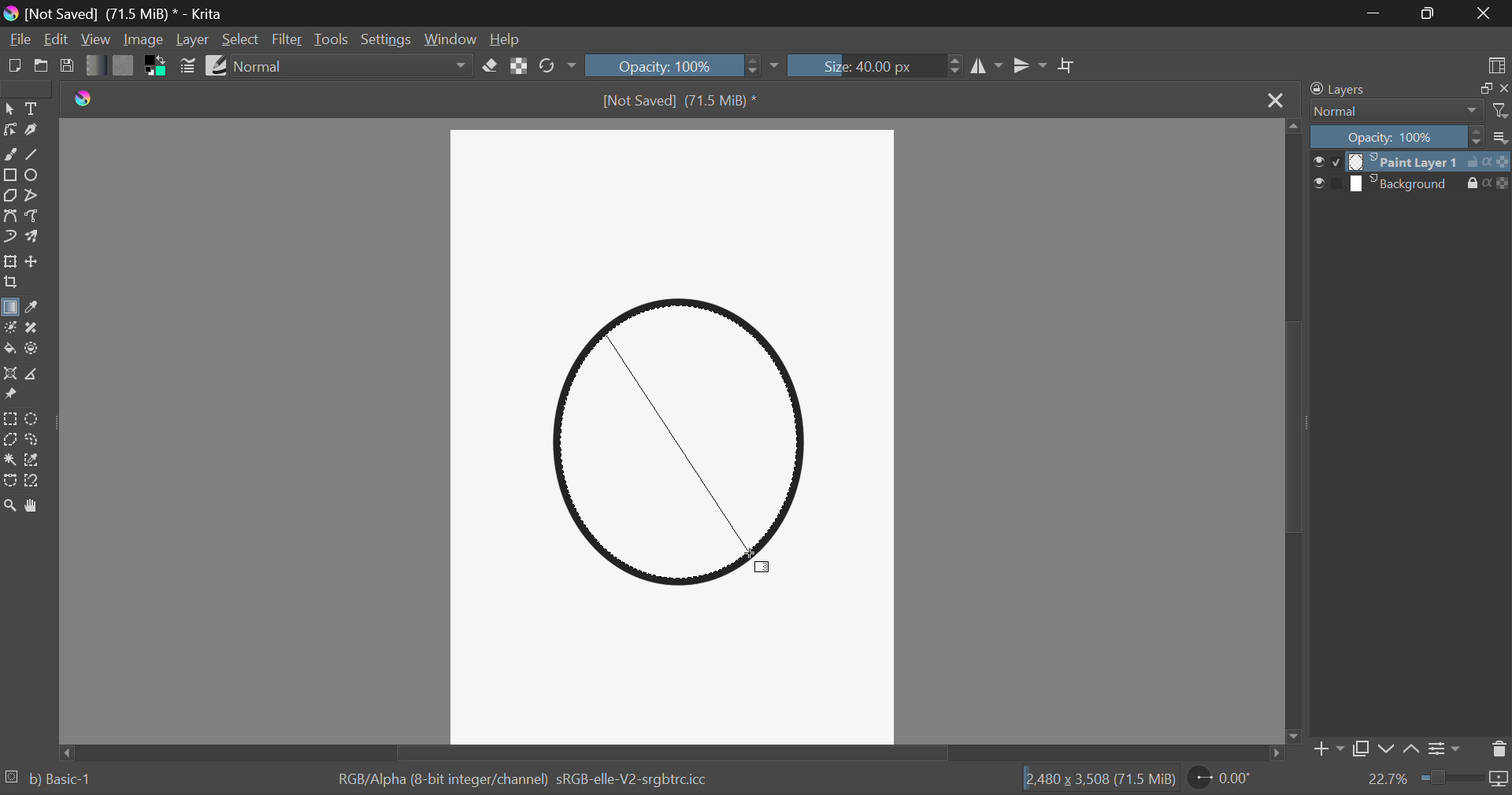  What do you see at coordinates (10, 216) in the screenshot?
I see `Bezier Curve` at bounding box center [10, 216].